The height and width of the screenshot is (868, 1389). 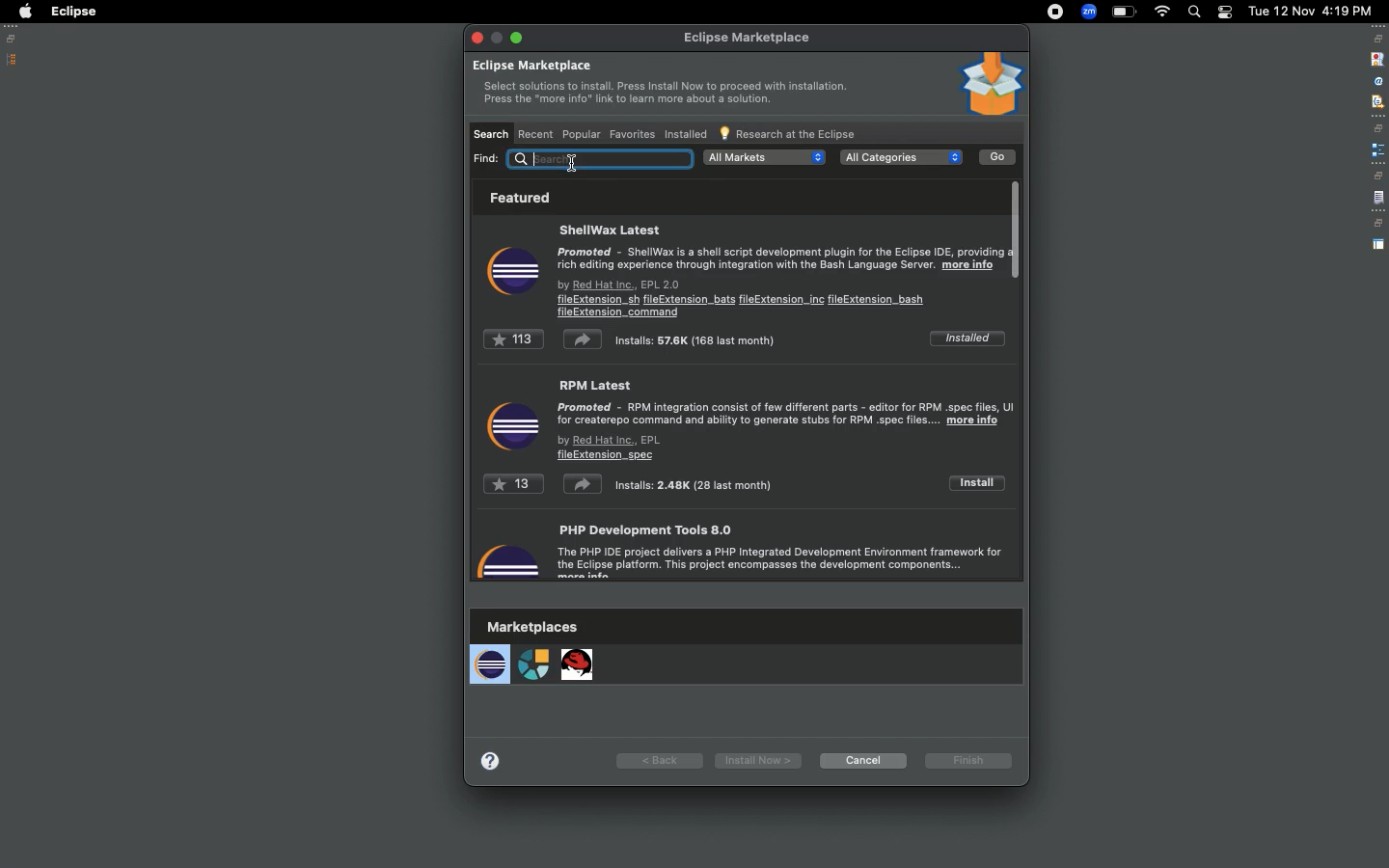 What do you see at coordinates (491, 133) in the screenshot?
I see `Search` at bounding box center [491, 133].